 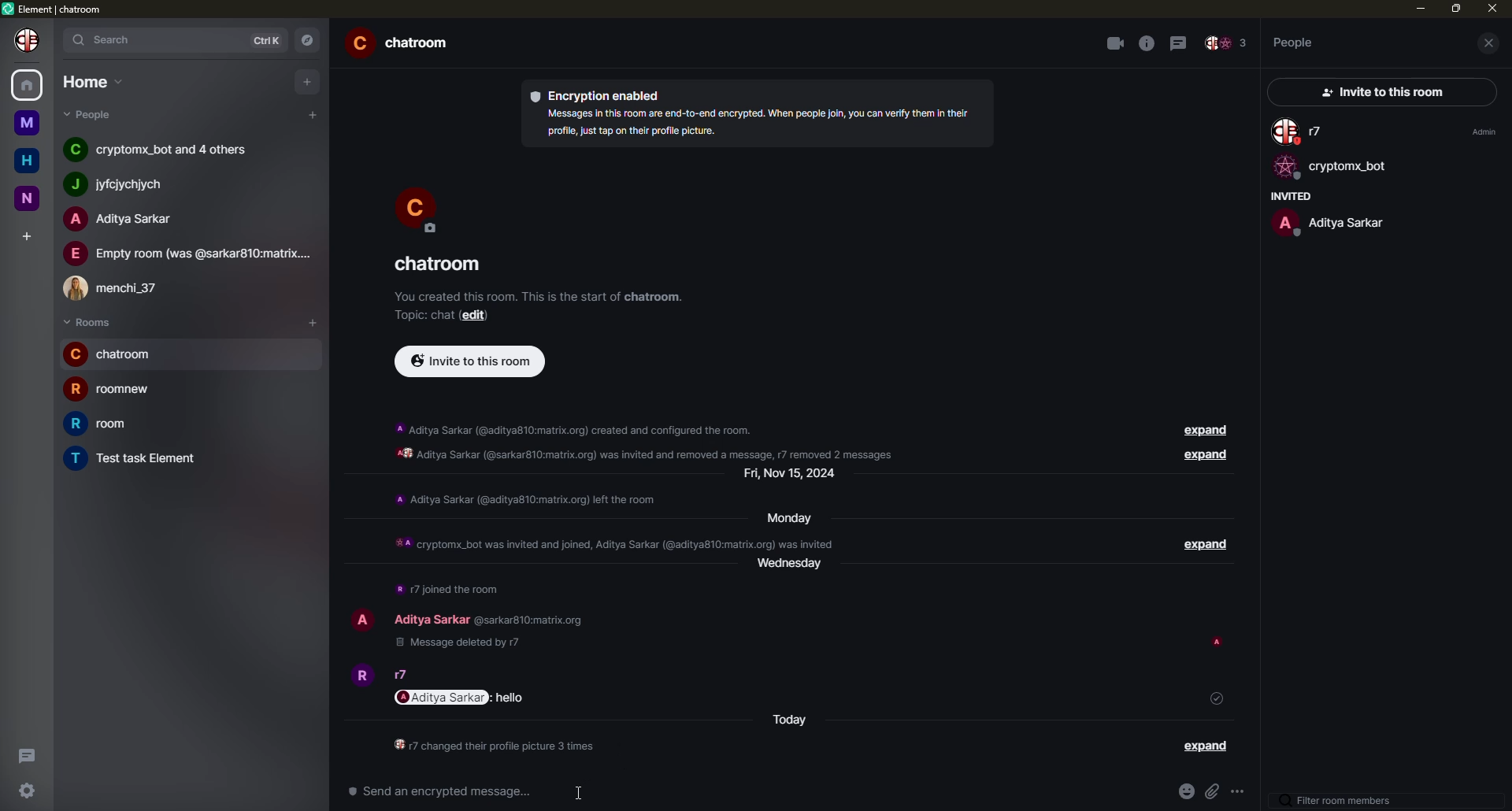 What do you see at coordinates (754, 122) in the screenshot?
I see `info` at bounding box center [754, 122].